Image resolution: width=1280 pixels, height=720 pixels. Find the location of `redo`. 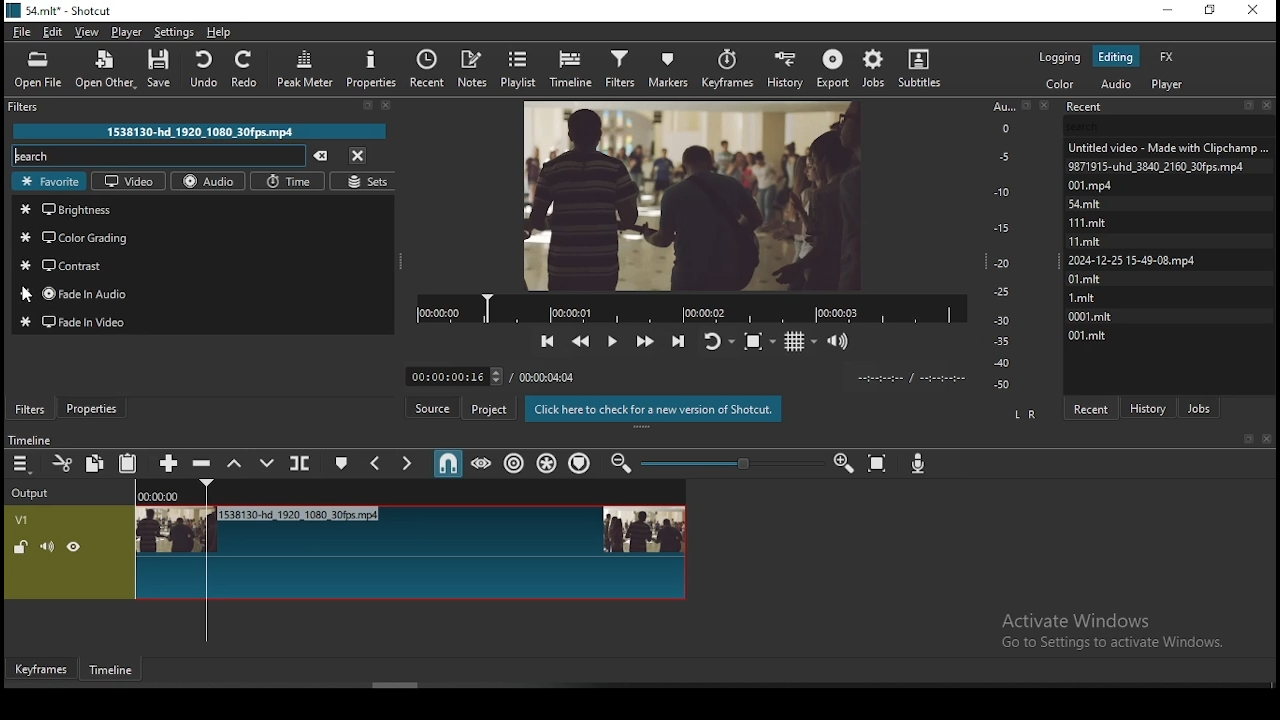

redo is located at coordinates (248, 69).